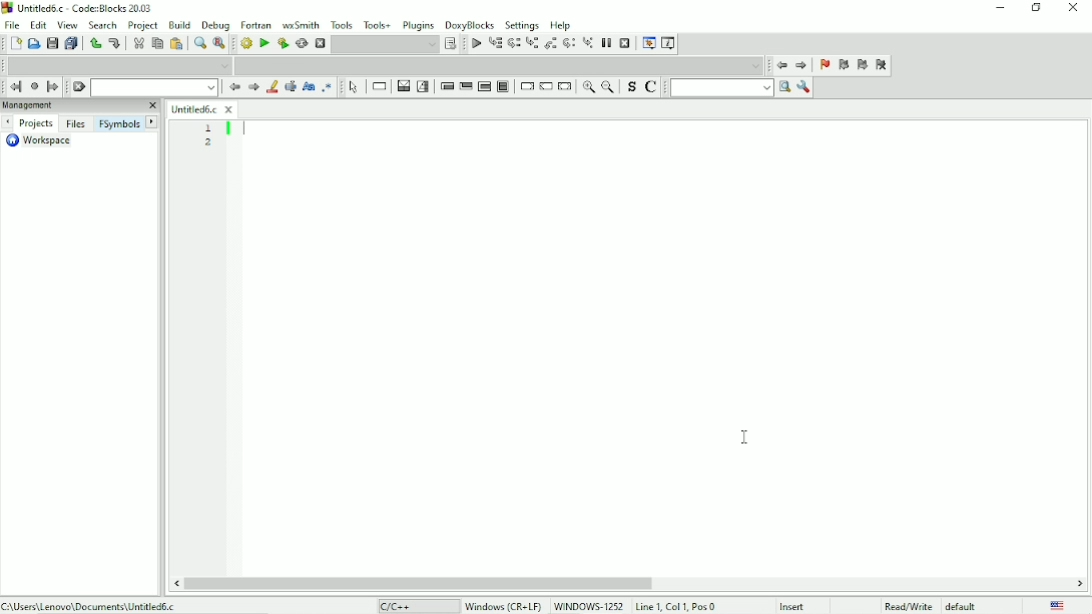 The image size is (1092, 614). I want to click on Next line, so click(513, 44).